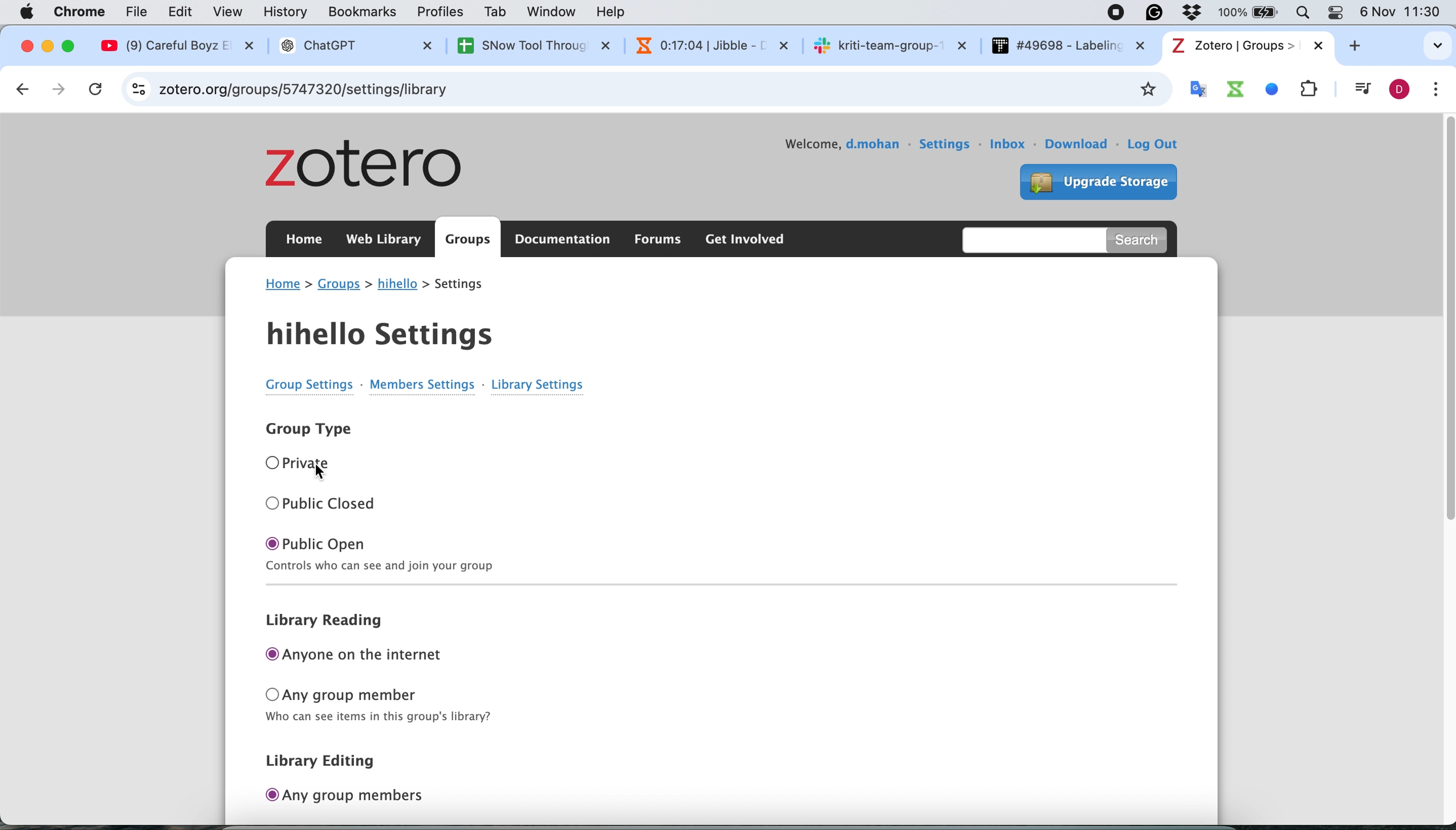  What do you see at coordinates (744, 240) in the screenshot?
I see `get involved` at bounding box center [744, 240].